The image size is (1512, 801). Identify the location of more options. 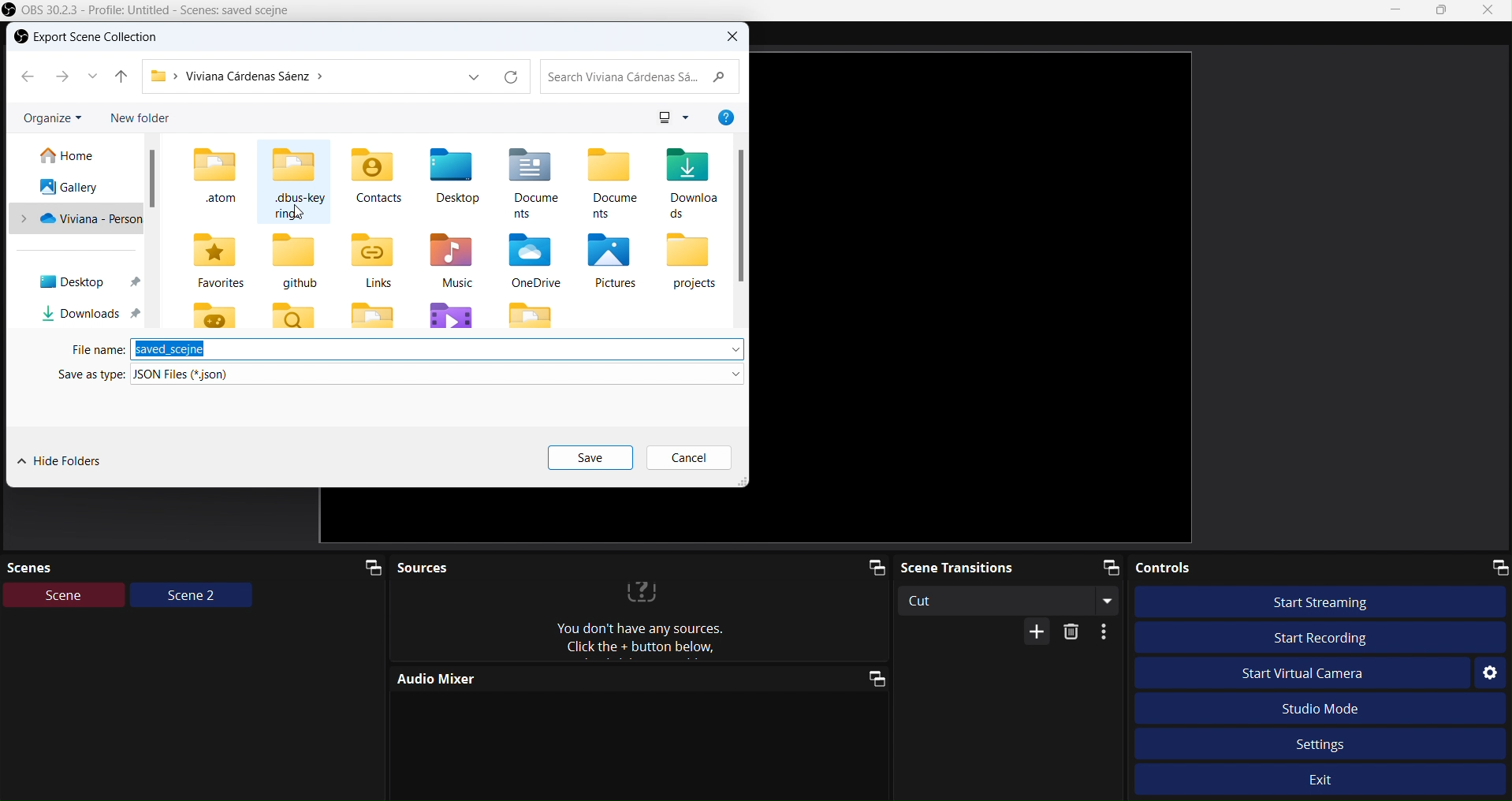
(687, 118).